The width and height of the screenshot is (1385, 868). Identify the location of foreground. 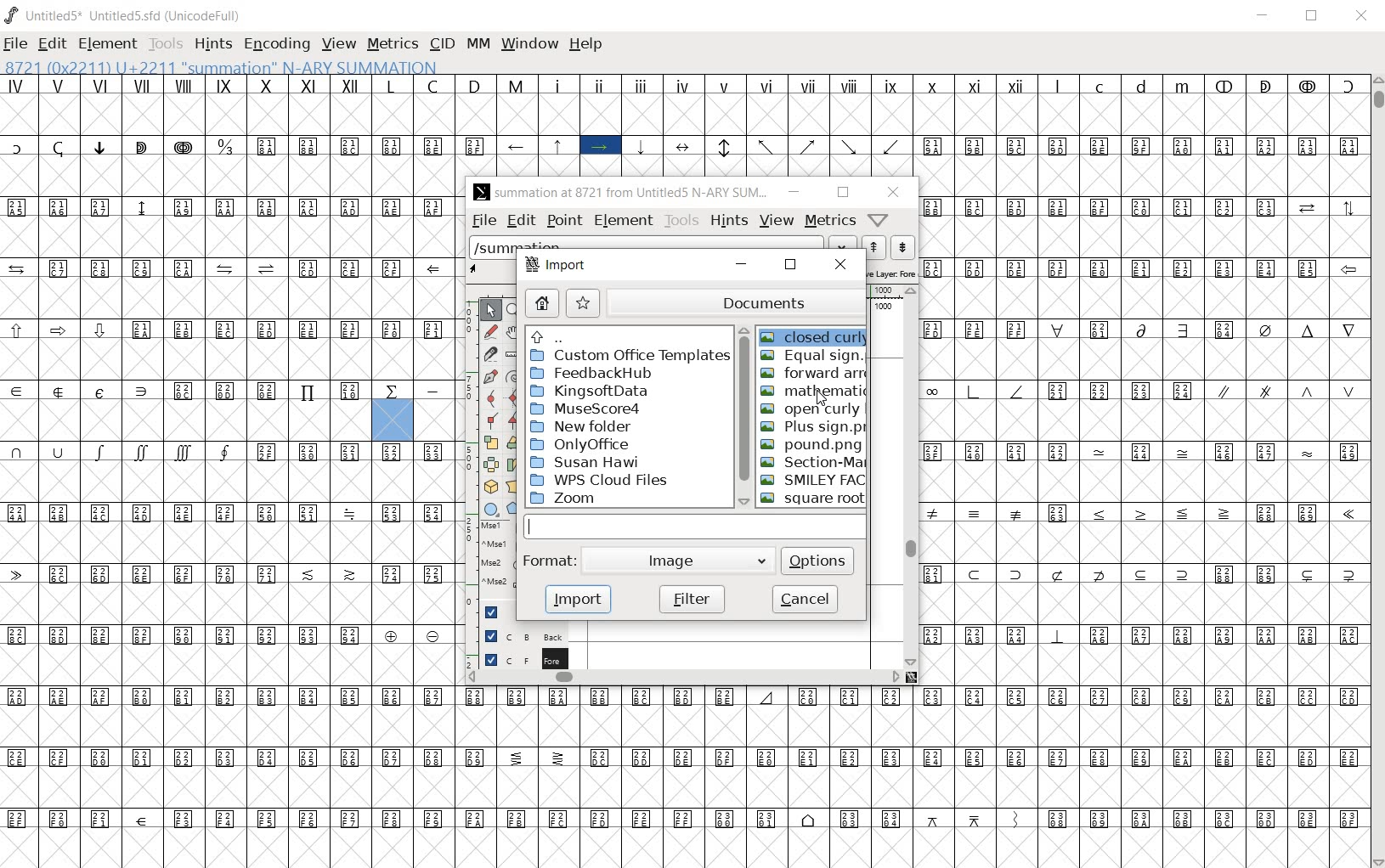
(516, 657).